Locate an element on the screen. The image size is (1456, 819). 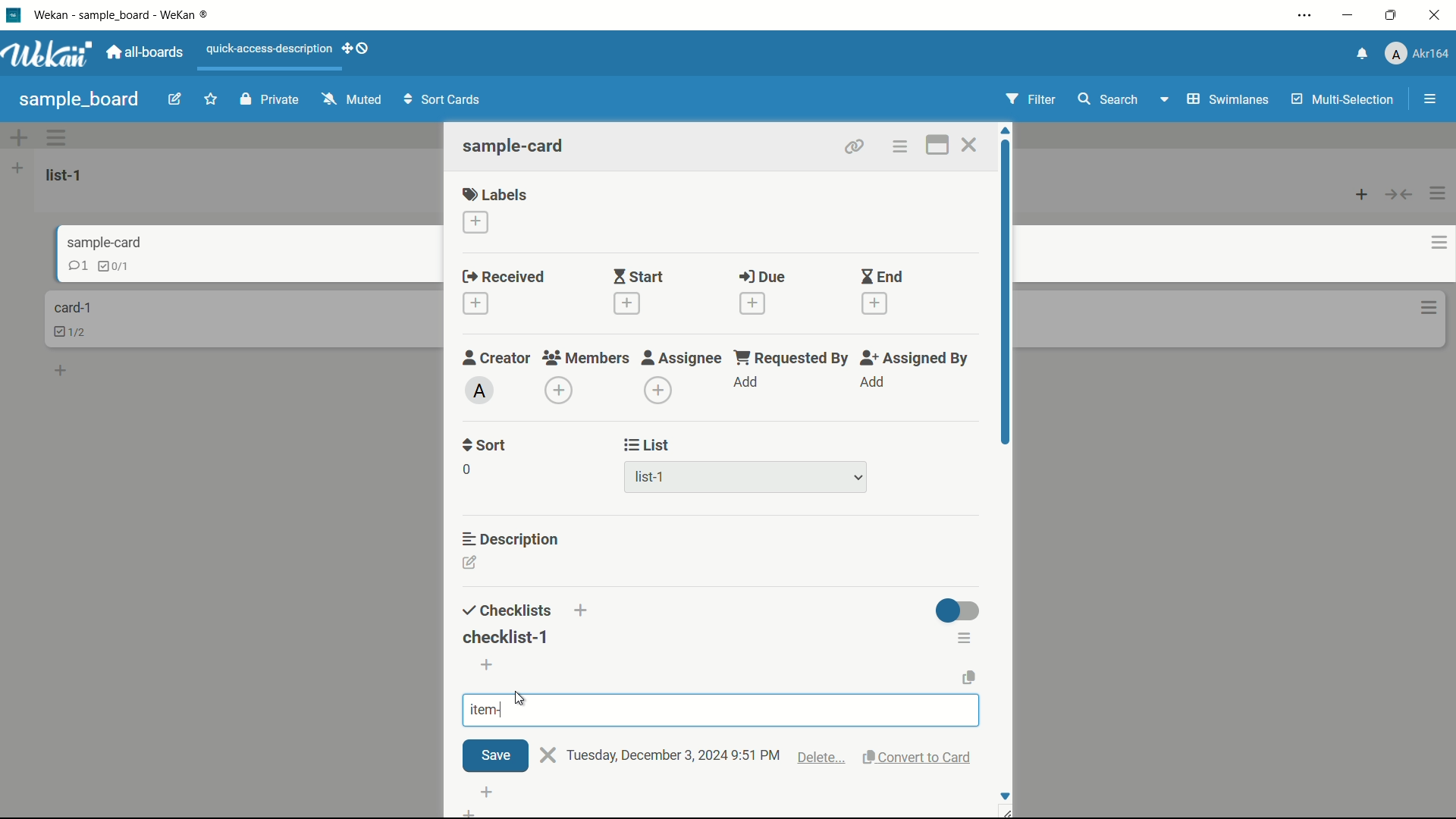
swimlanes is located at coordinates (1226, 101).